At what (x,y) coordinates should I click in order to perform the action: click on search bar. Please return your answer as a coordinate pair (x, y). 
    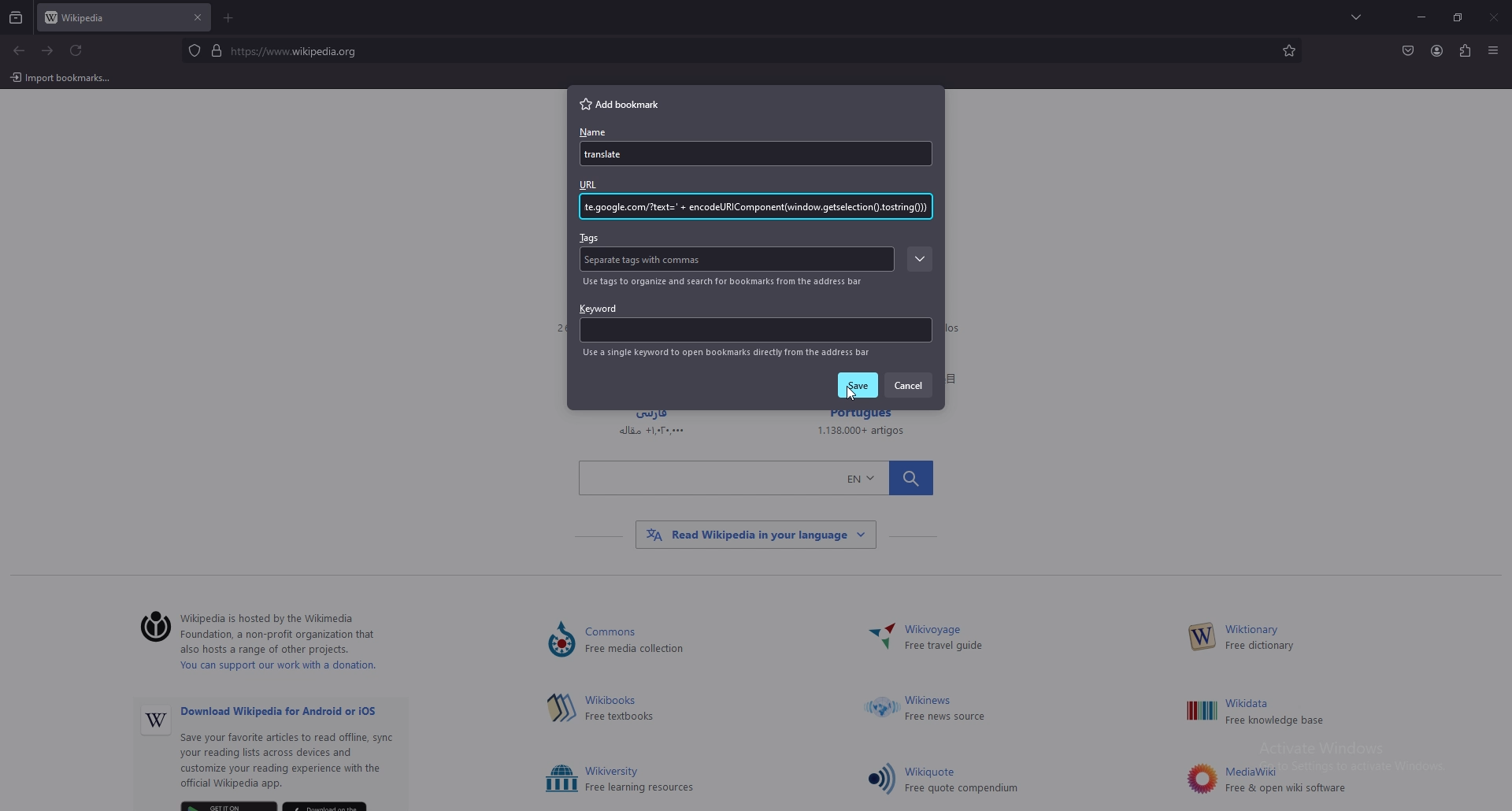
    Looking at the image, I should click on (733, 50).